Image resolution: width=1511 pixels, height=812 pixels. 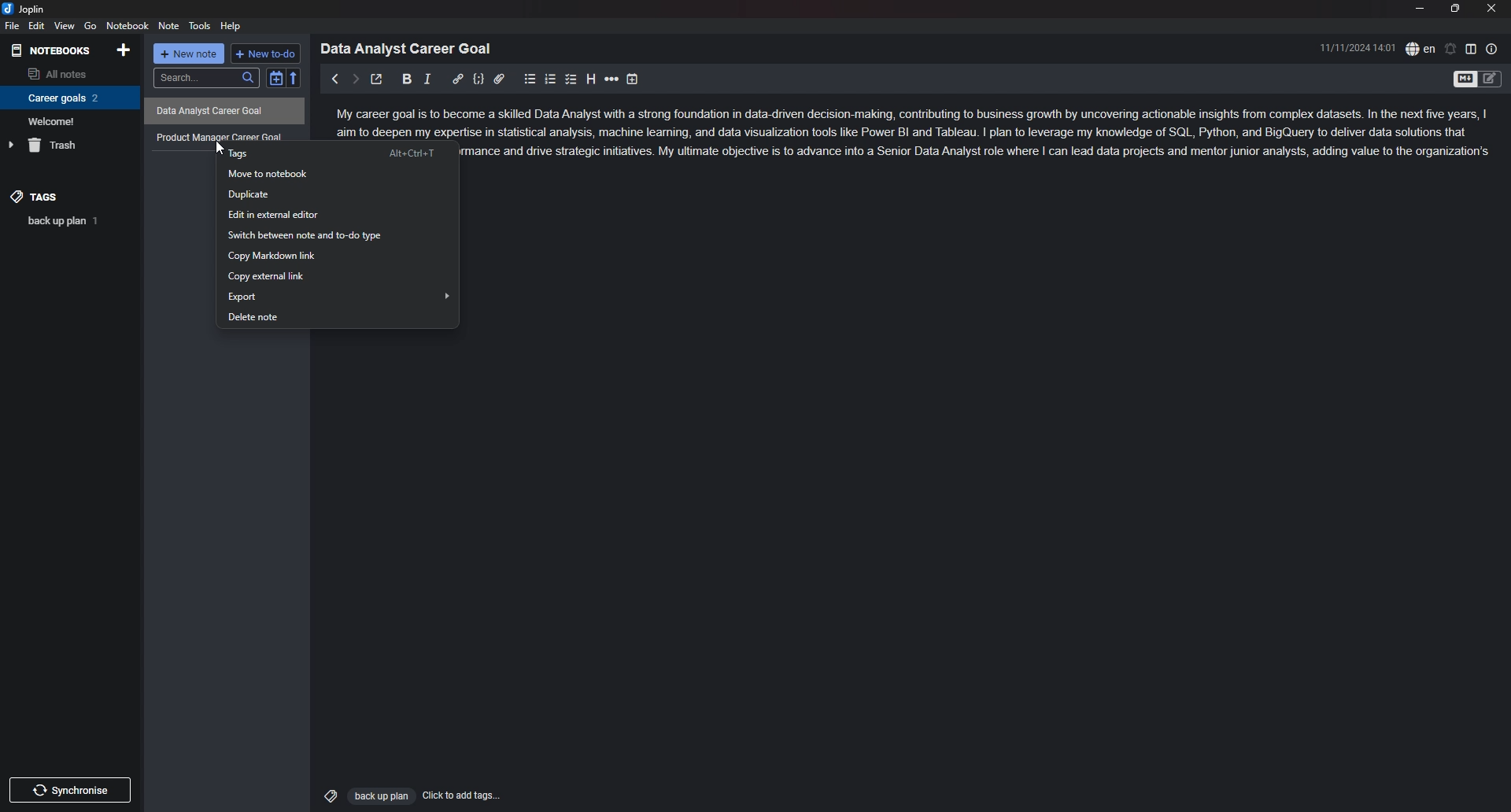 I want to click on move to notebook, so click(x=334, y=174).